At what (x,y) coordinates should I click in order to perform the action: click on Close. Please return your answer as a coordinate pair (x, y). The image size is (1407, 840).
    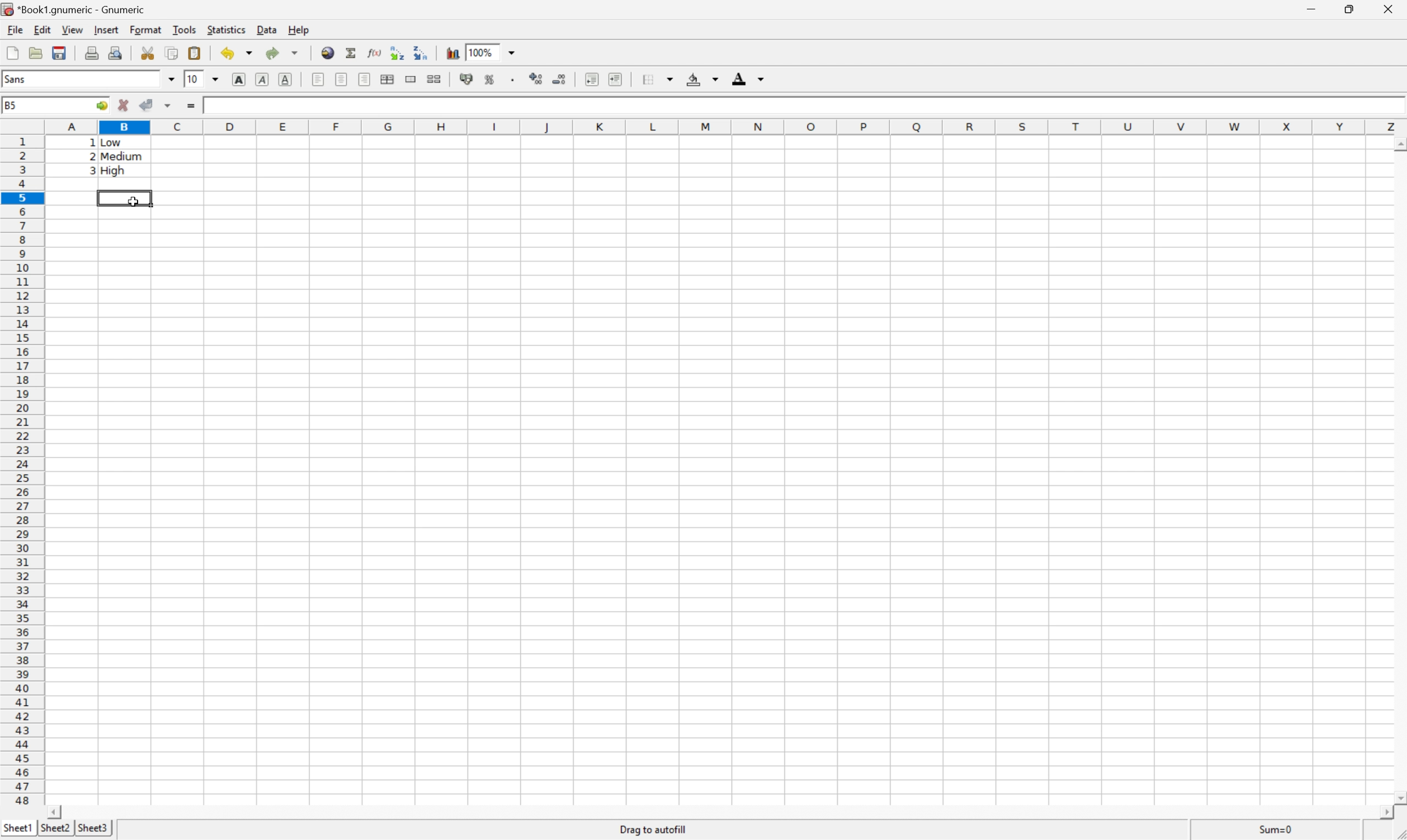
    Looking at the image, I should click on (1391, 10).